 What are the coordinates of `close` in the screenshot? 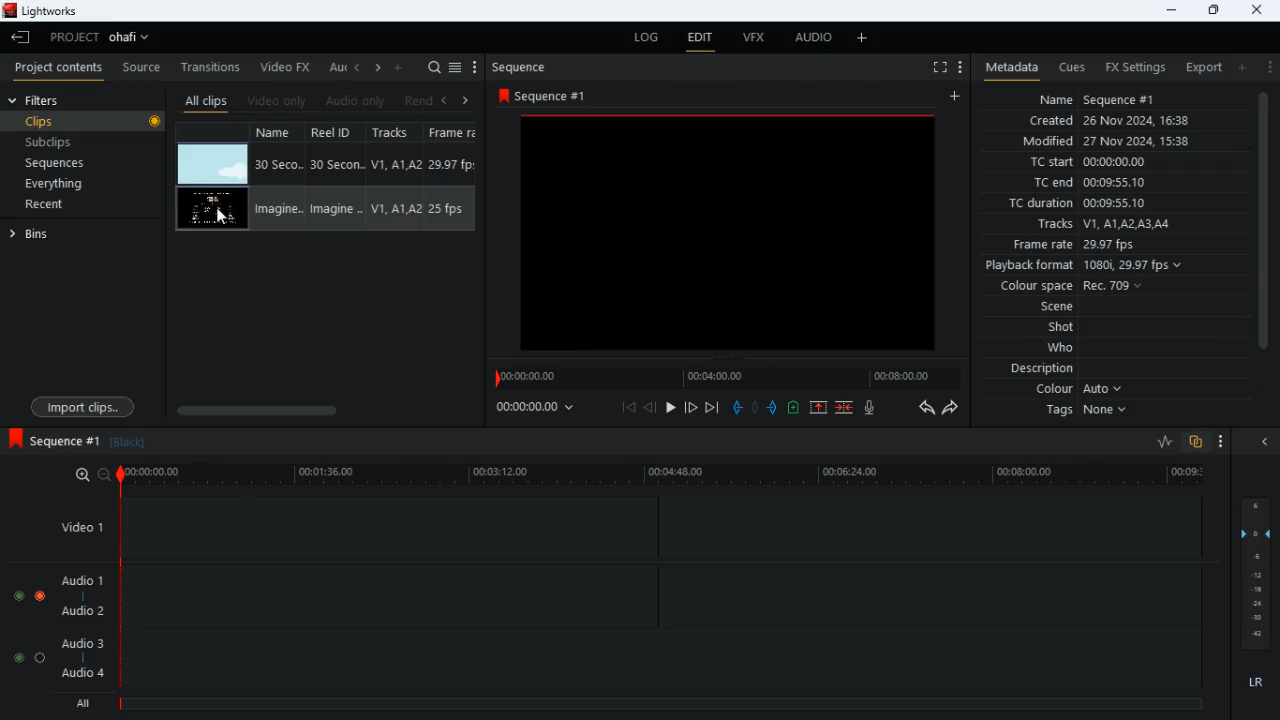 It's located at (1259, 11).